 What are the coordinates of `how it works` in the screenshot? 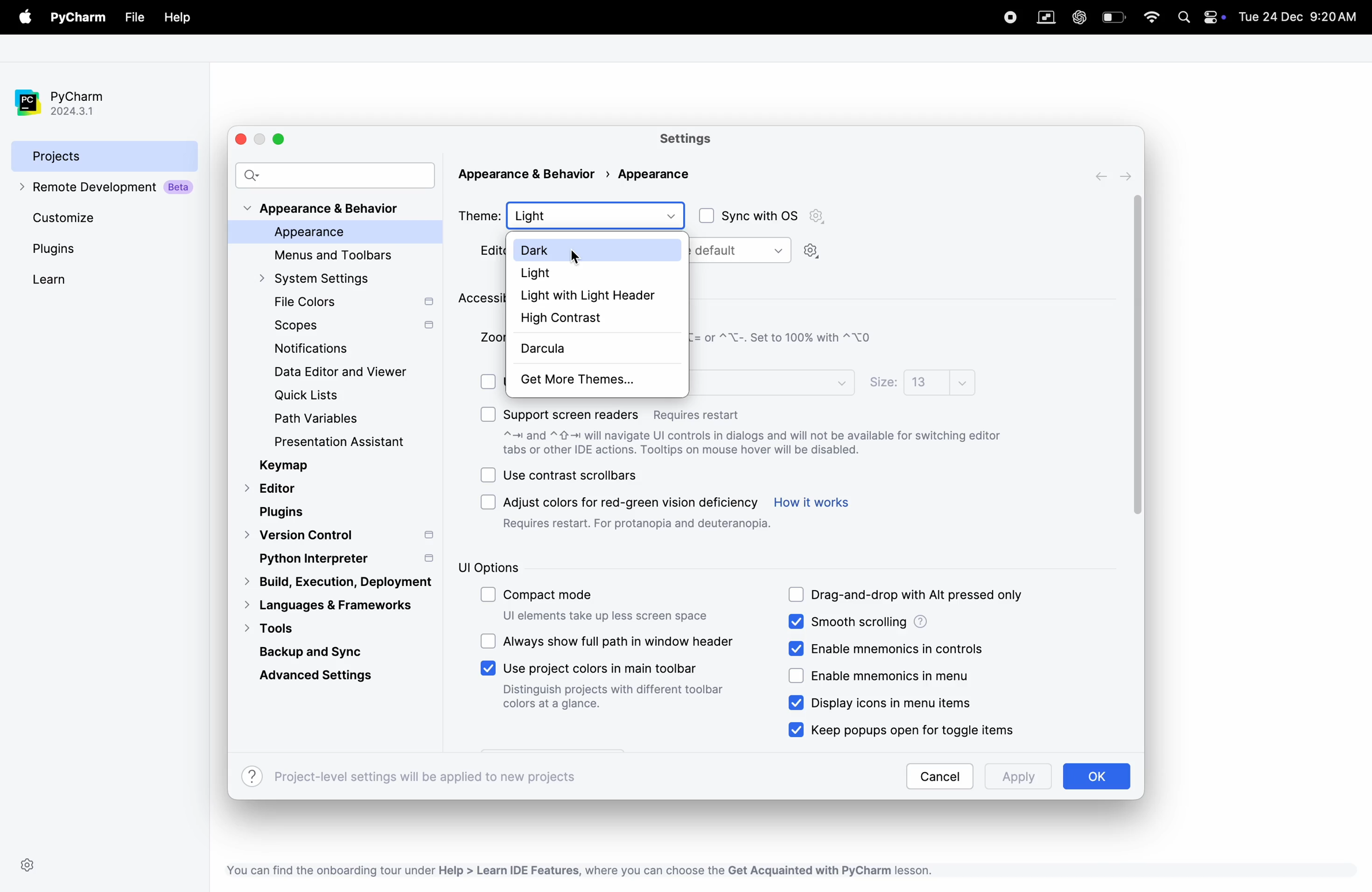 It's located at (812, 502).